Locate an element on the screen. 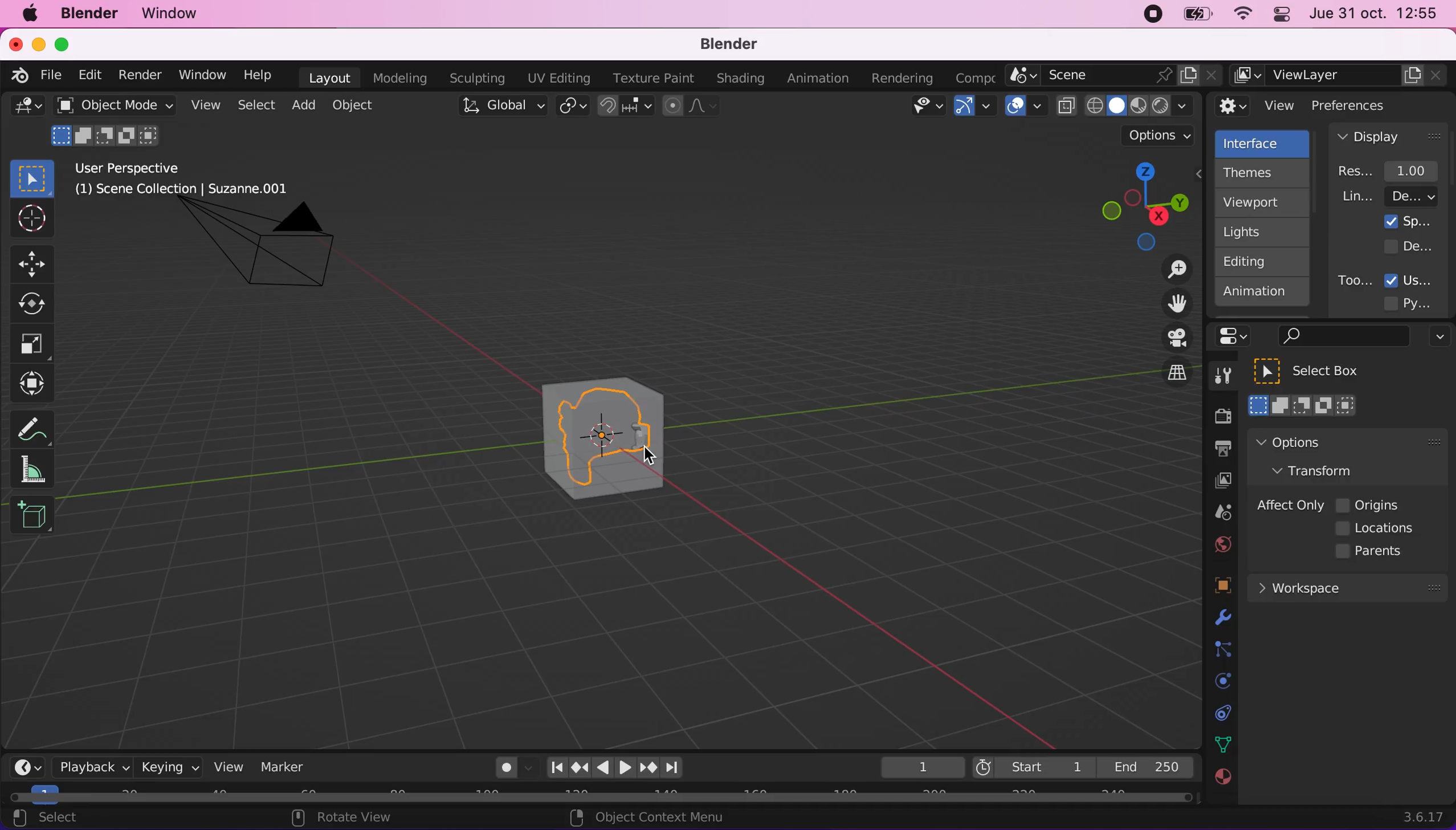  select box mode is located at coordinates (1303, 405).